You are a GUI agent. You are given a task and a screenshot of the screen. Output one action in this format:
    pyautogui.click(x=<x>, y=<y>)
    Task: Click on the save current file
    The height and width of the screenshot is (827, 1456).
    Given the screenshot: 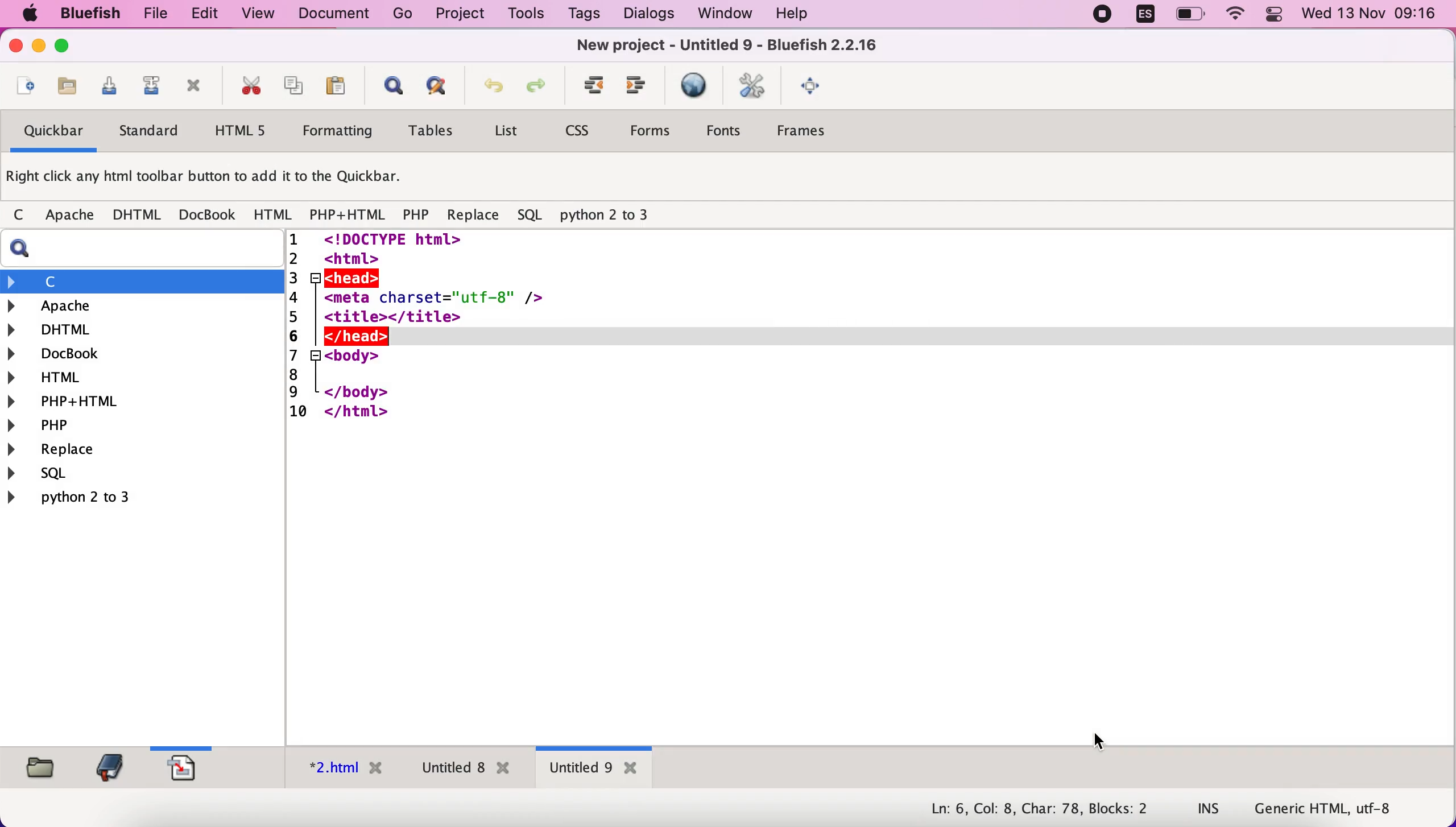 What is the action you would take?
    pyautogui.click(x=106, y=89)
    